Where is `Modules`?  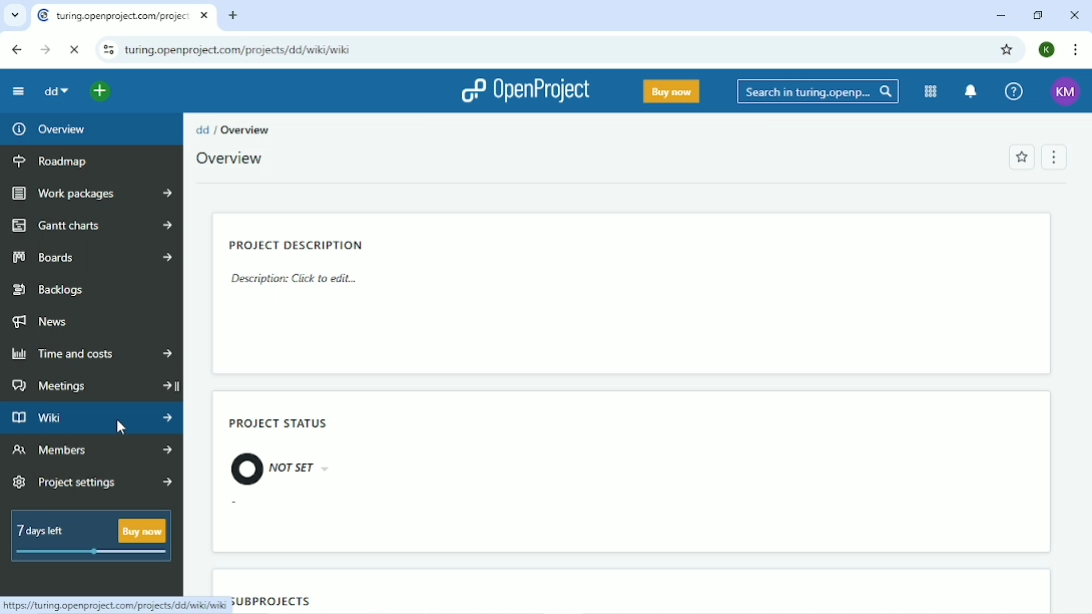
Modules is located at coordinates (930, 91).